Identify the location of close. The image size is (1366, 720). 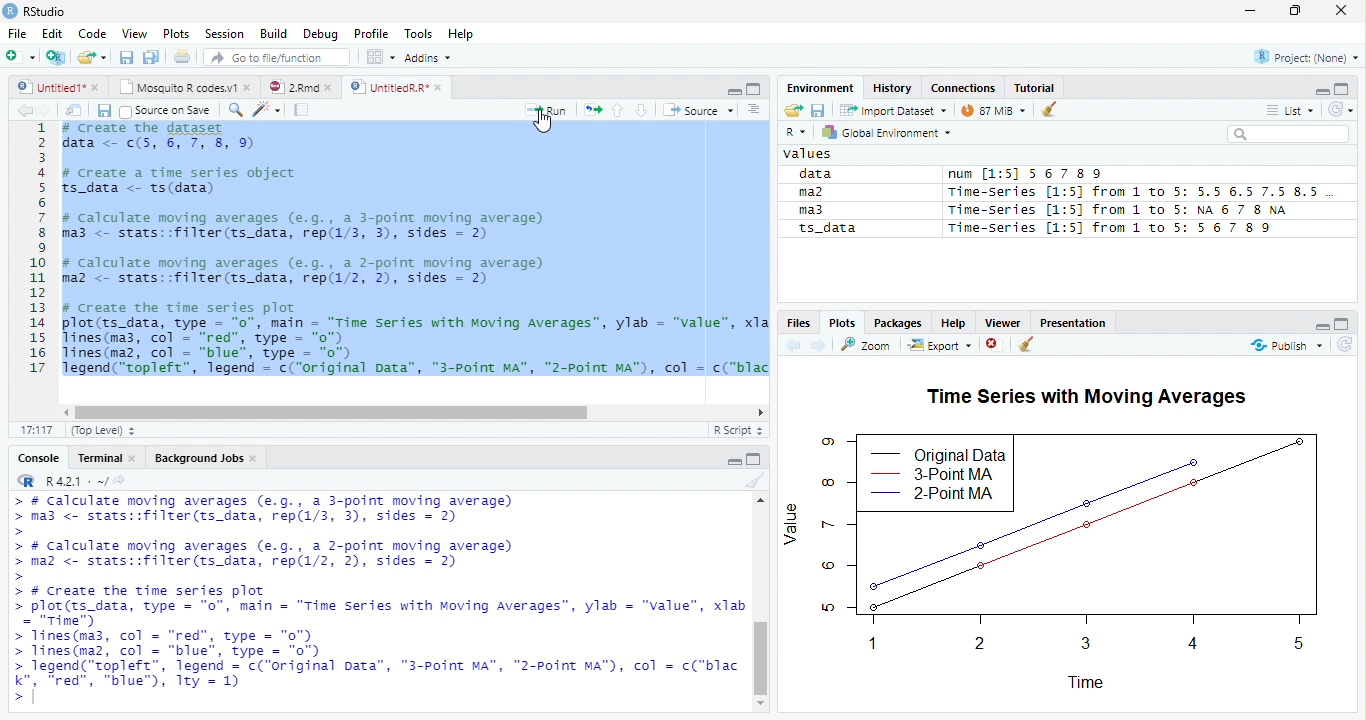
(256, 459).